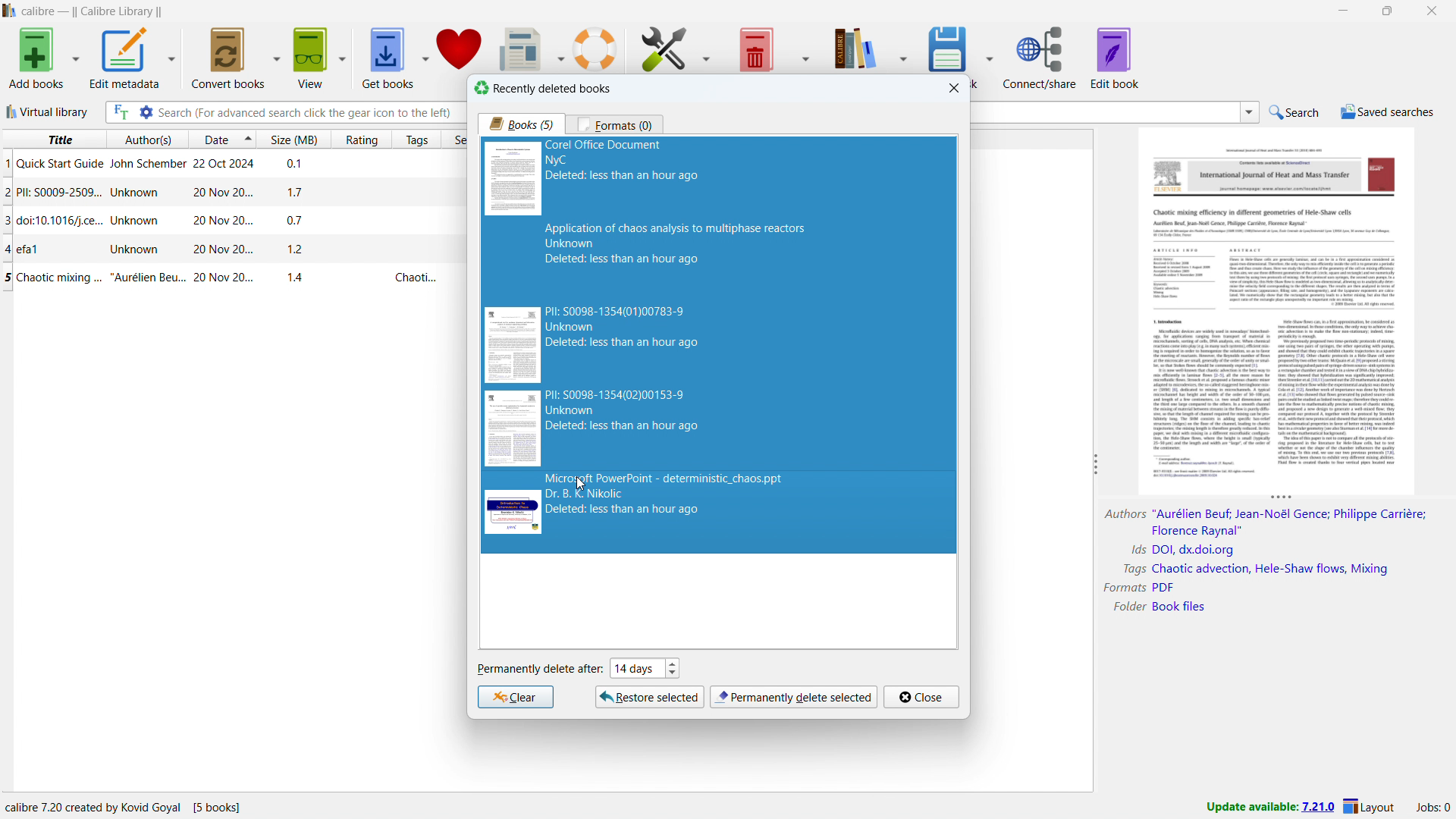 This screenshot has height=819, width=1456. Describe the element at coordinates (418, 139) in the screenshot. I see `sort by tags` at that location.